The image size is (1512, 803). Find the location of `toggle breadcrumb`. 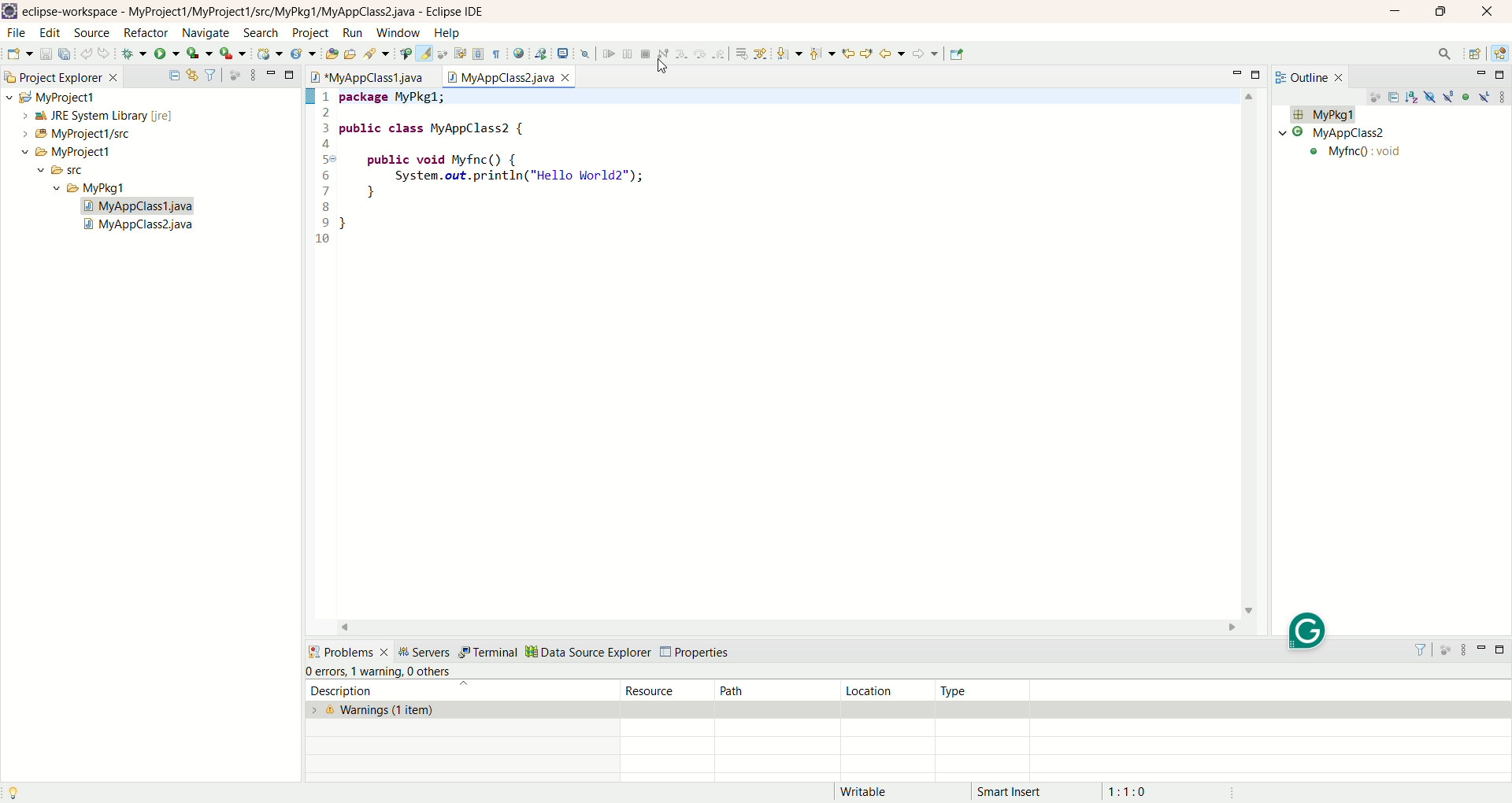

toggle breadcrumb is located at coordinates (404, 54).